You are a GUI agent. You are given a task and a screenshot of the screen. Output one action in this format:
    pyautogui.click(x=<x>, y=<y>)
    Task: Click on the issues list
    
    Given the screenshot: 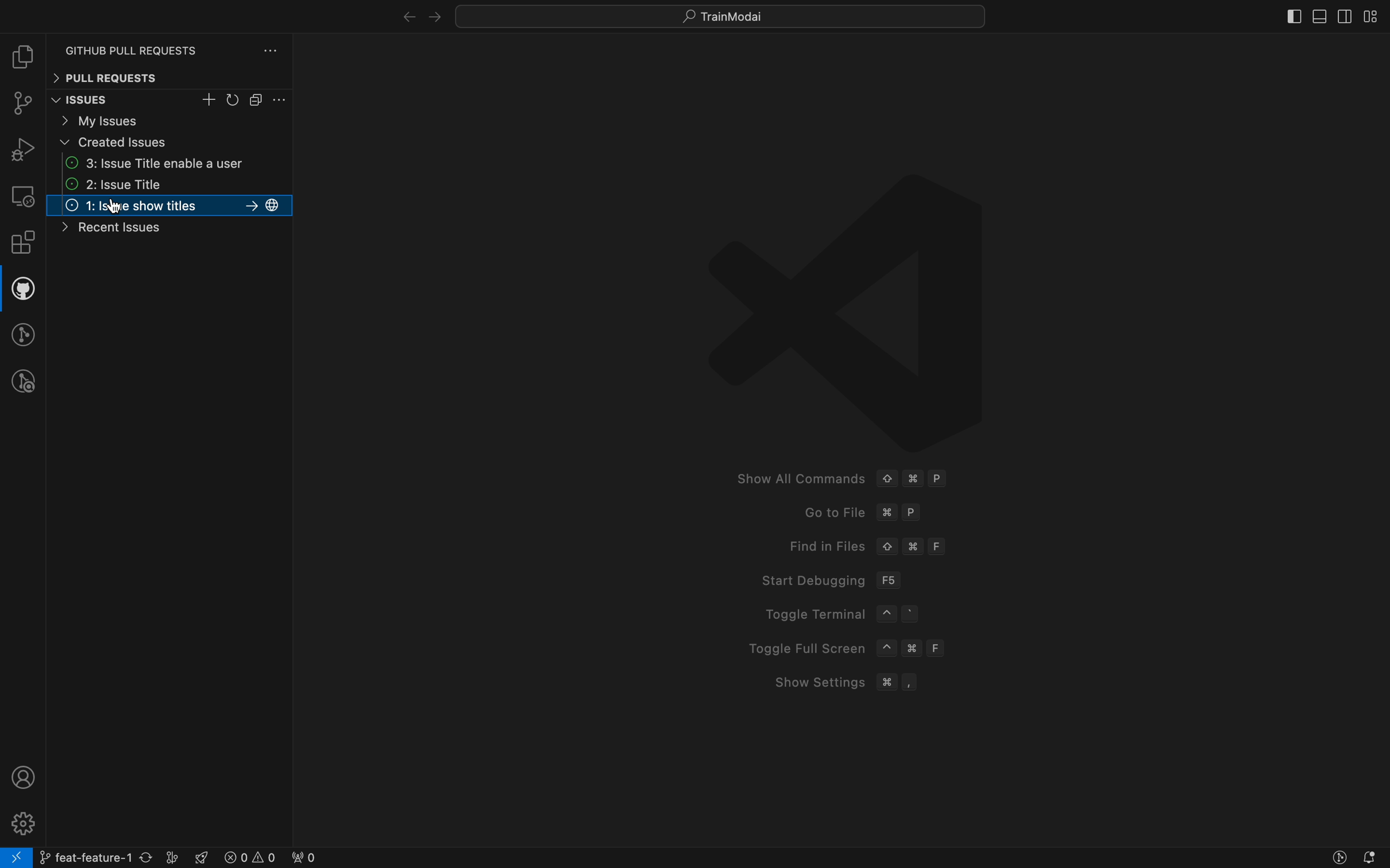 What is the action you would take?
    pyautogui.click(x=171, y=185)
    